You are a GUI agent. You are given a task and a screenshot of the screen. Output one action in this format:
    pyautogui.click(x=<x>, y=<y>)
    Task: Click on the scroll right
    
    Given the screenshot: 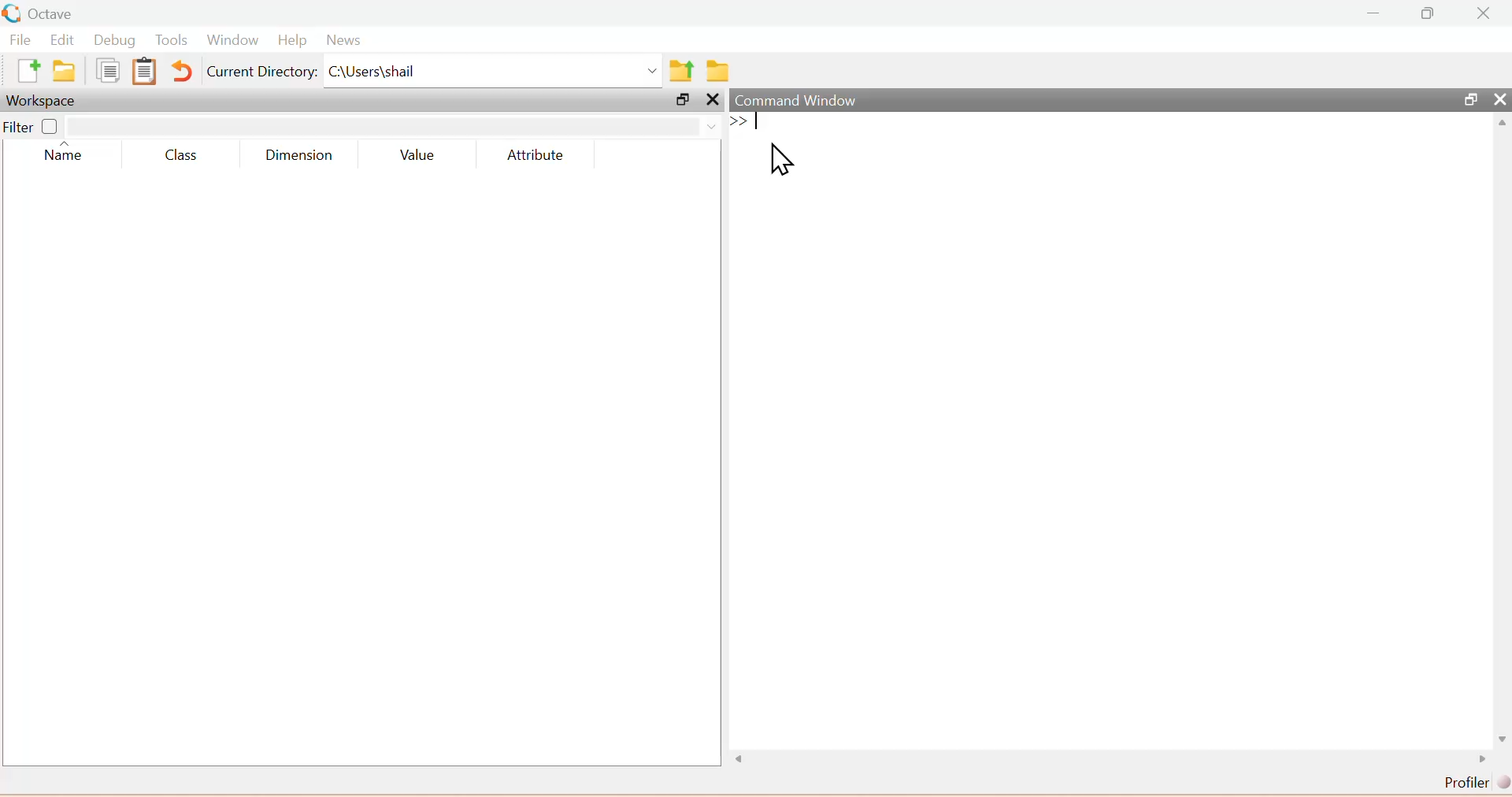 What is the action you would take?
    pyautogui.click(x=1483, y=760)
    